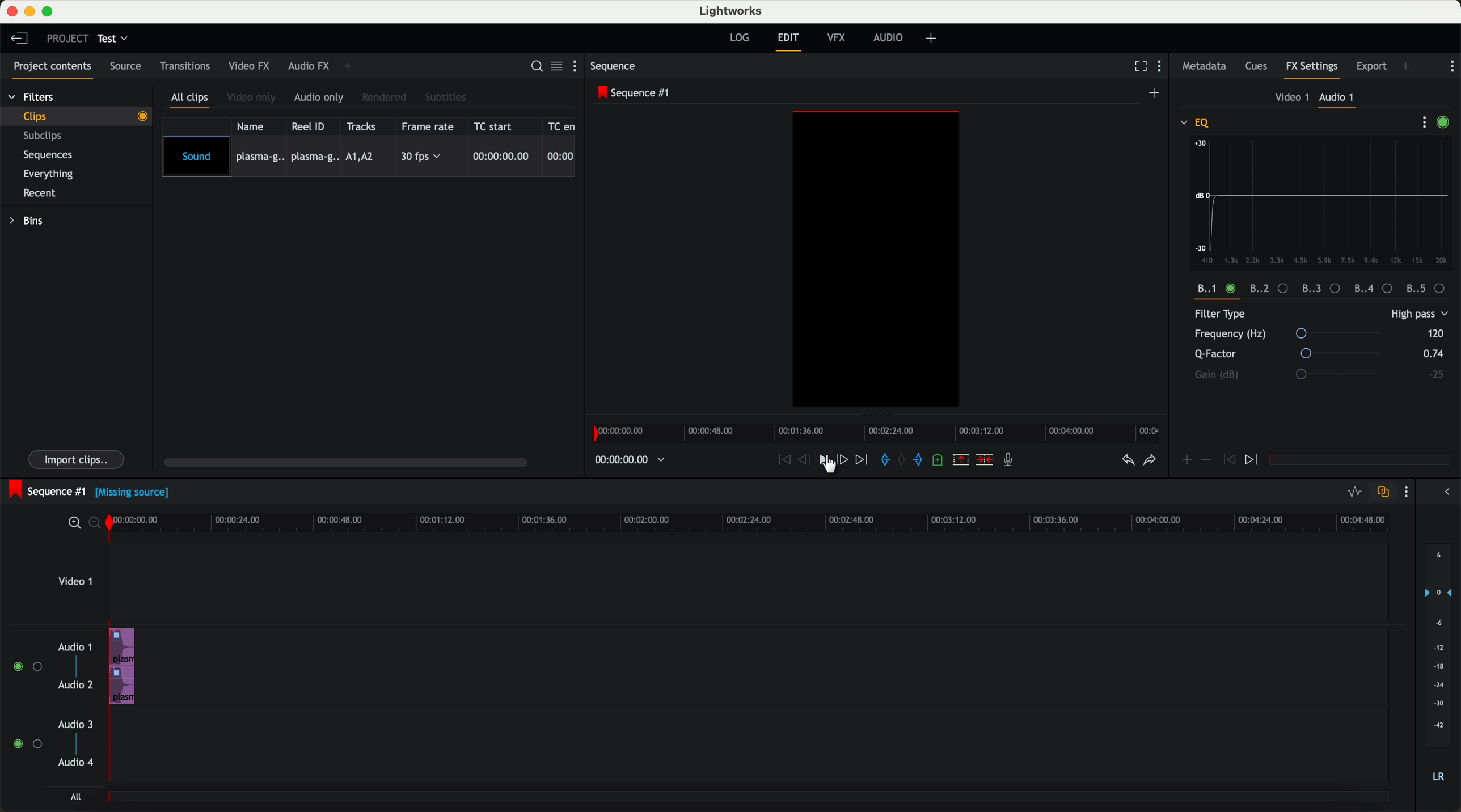 This screenshot has width=1461, height=812. I want to click on Q-Factor, so click(1291, 354).